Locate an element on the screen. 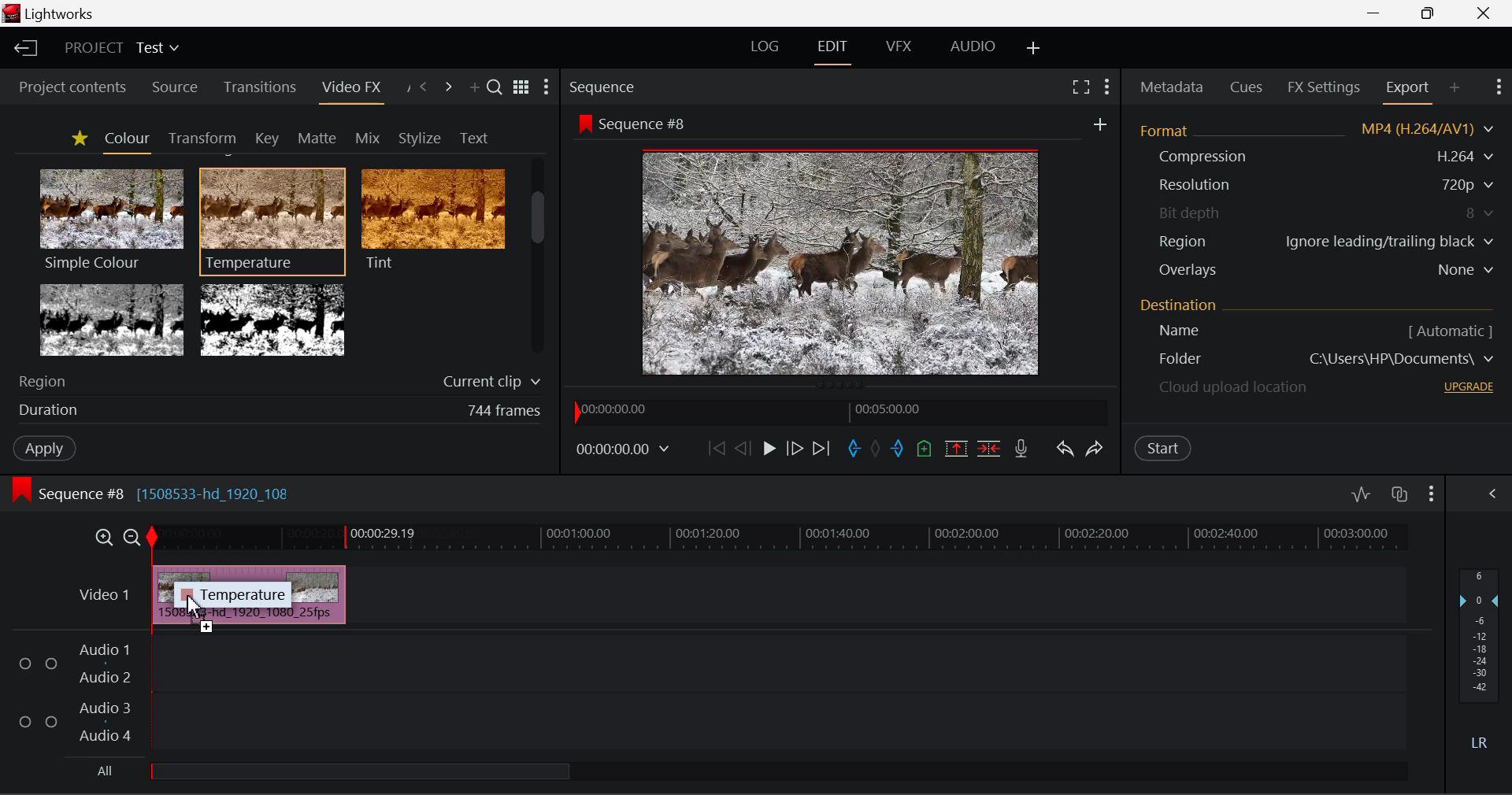 The height and width of the screenshot is (795, 1512). Audio 2 is located at coordinates (98, 675).